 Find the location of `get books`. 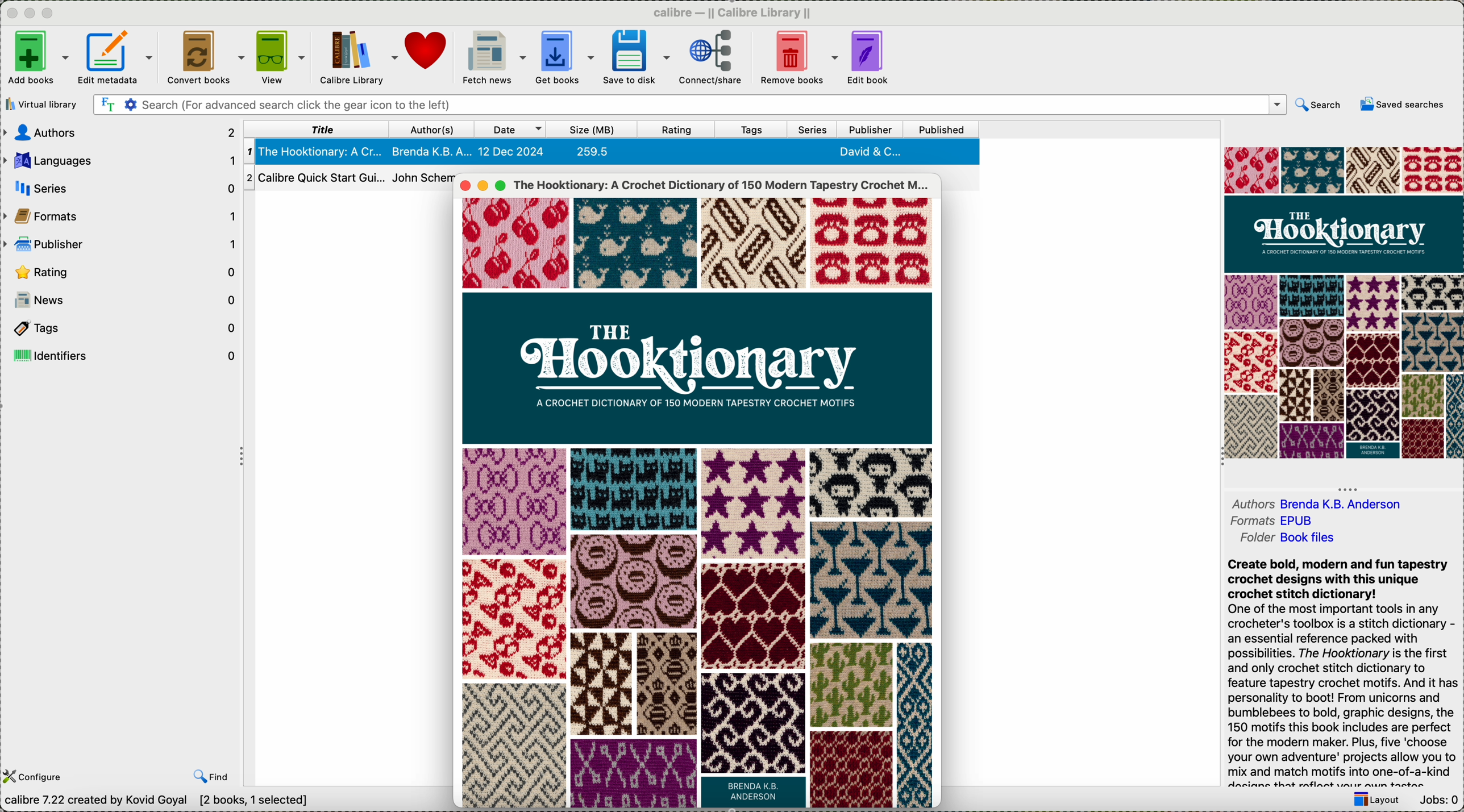

get books is located at coordinates (564, 55).